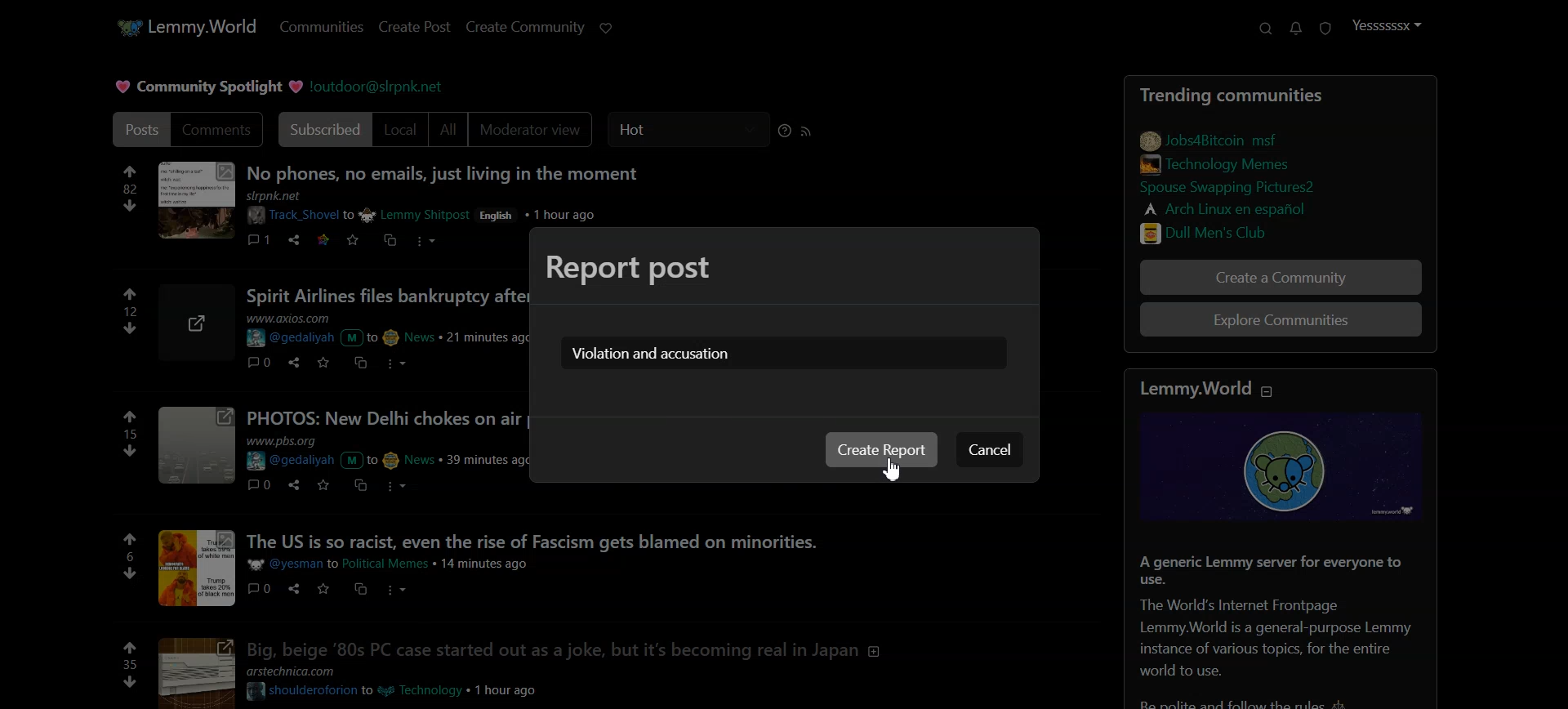 Image resolution: width=1568 pixels, height=709 pixels. Describe the element at coordinates (130, 170) in the screenshot. I see `upvote` at that location.